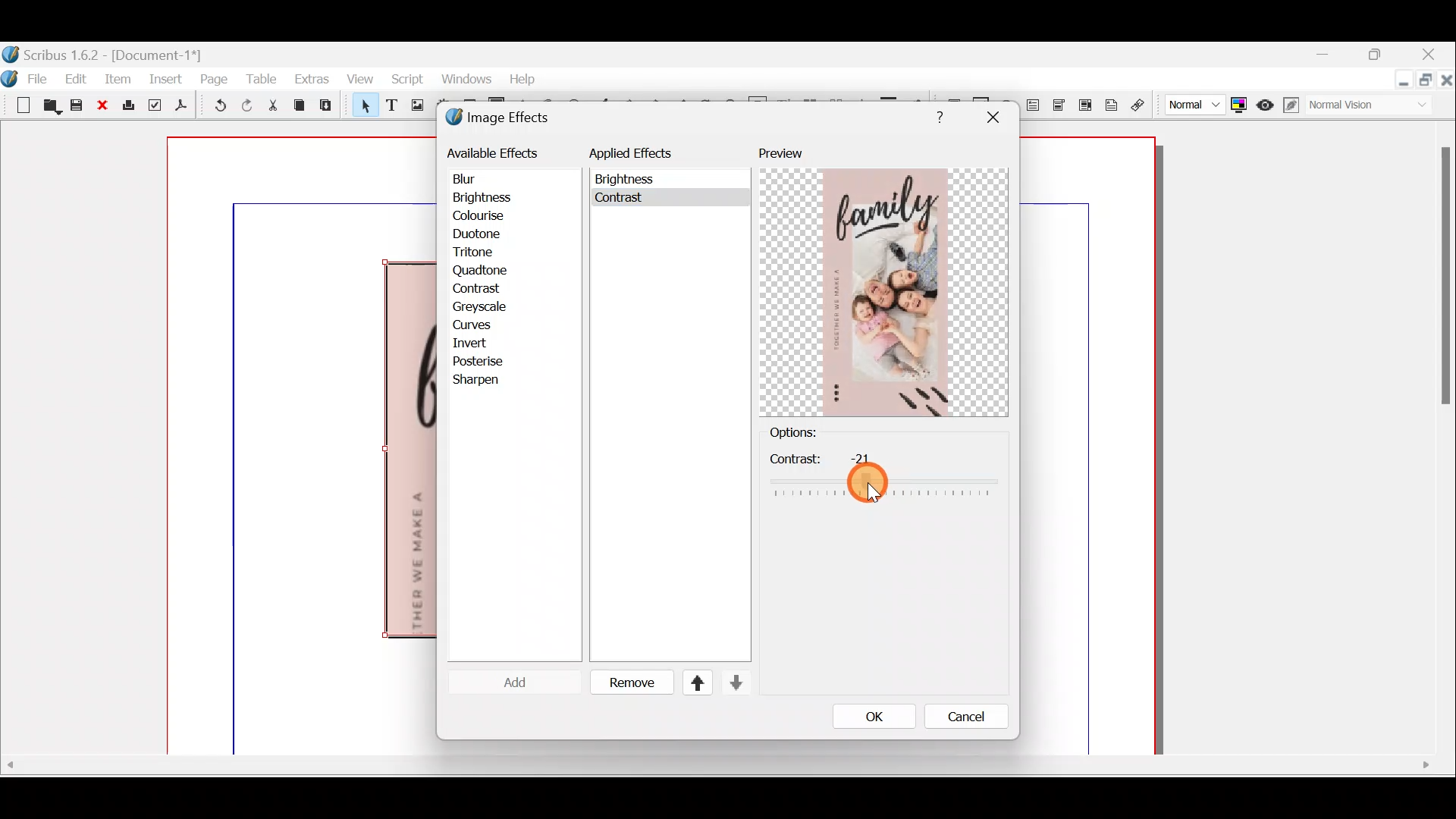 The width and height of the screenshot is (1456, 819). What do you see at coordinates (1140, 105) in the screenshot?
I see `Link annotation` at bounding box center [1140, 105].